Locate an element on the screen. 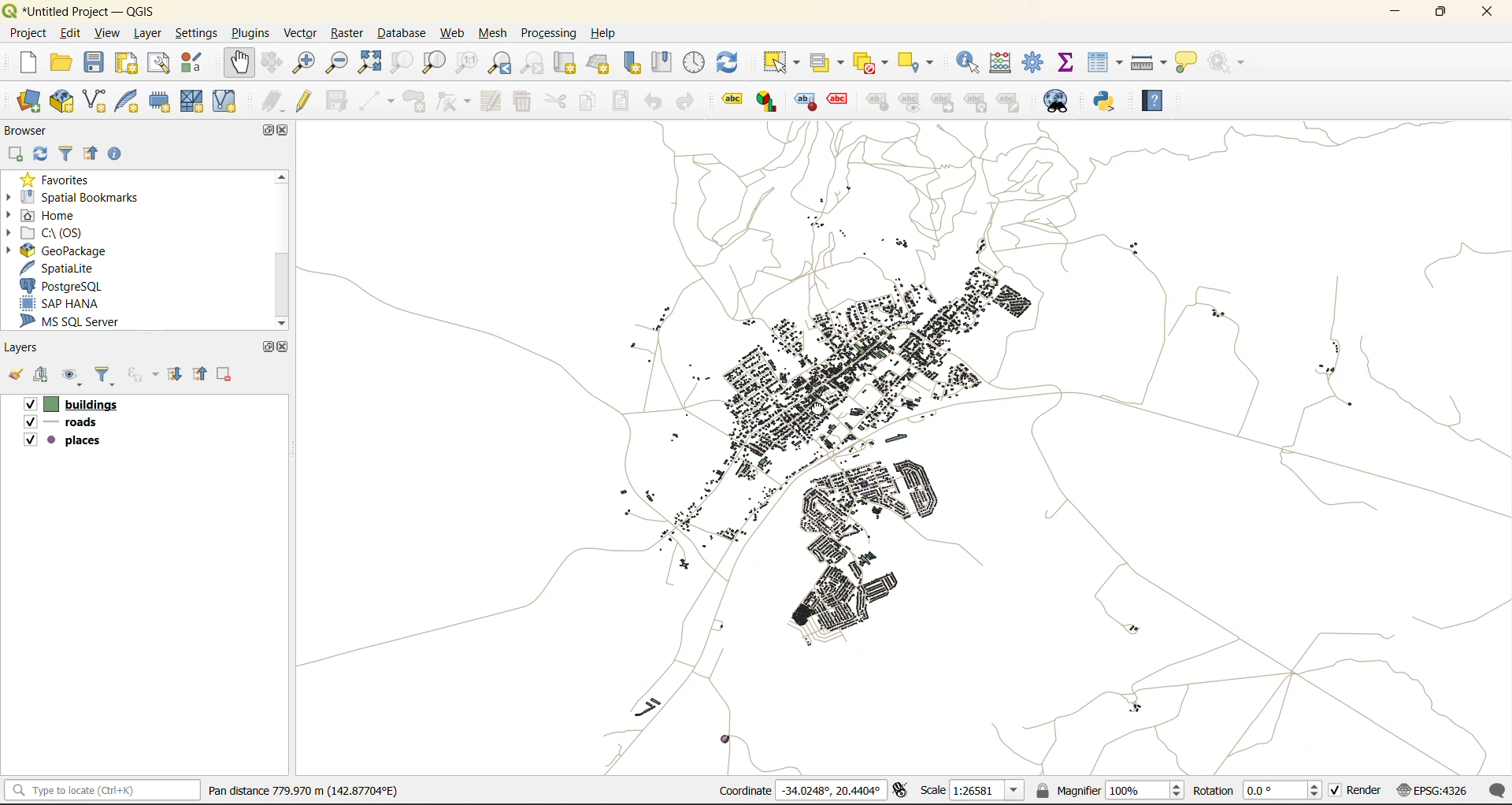 This screenshot has width=1512, height=805. label graph is located at coordinates (766, 102).